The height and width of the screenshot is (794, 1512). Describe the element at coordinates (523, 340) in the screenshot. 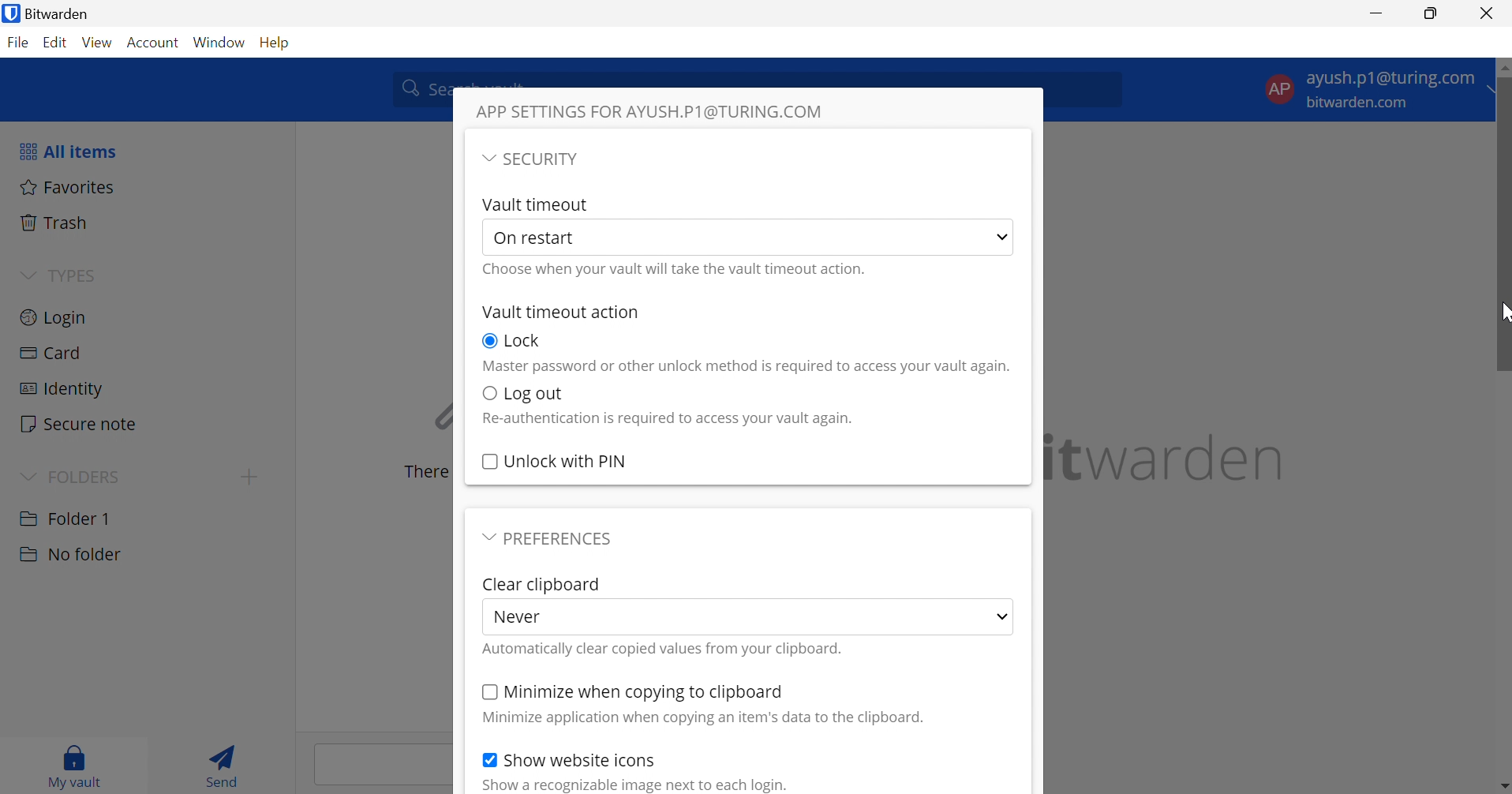

I see `Lock` at that location.